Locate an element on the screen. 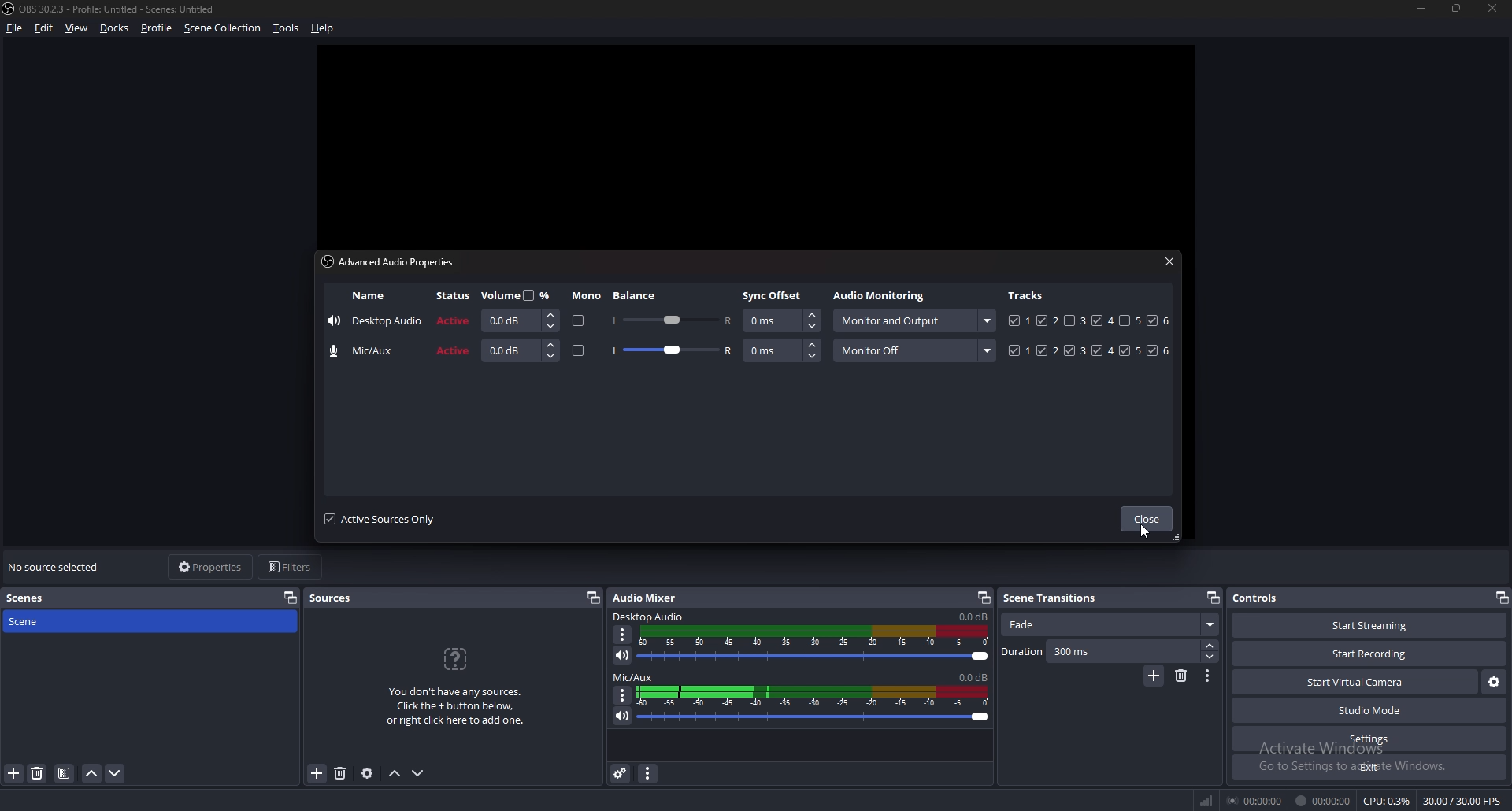  add scene is located at coordinates (14, 774).